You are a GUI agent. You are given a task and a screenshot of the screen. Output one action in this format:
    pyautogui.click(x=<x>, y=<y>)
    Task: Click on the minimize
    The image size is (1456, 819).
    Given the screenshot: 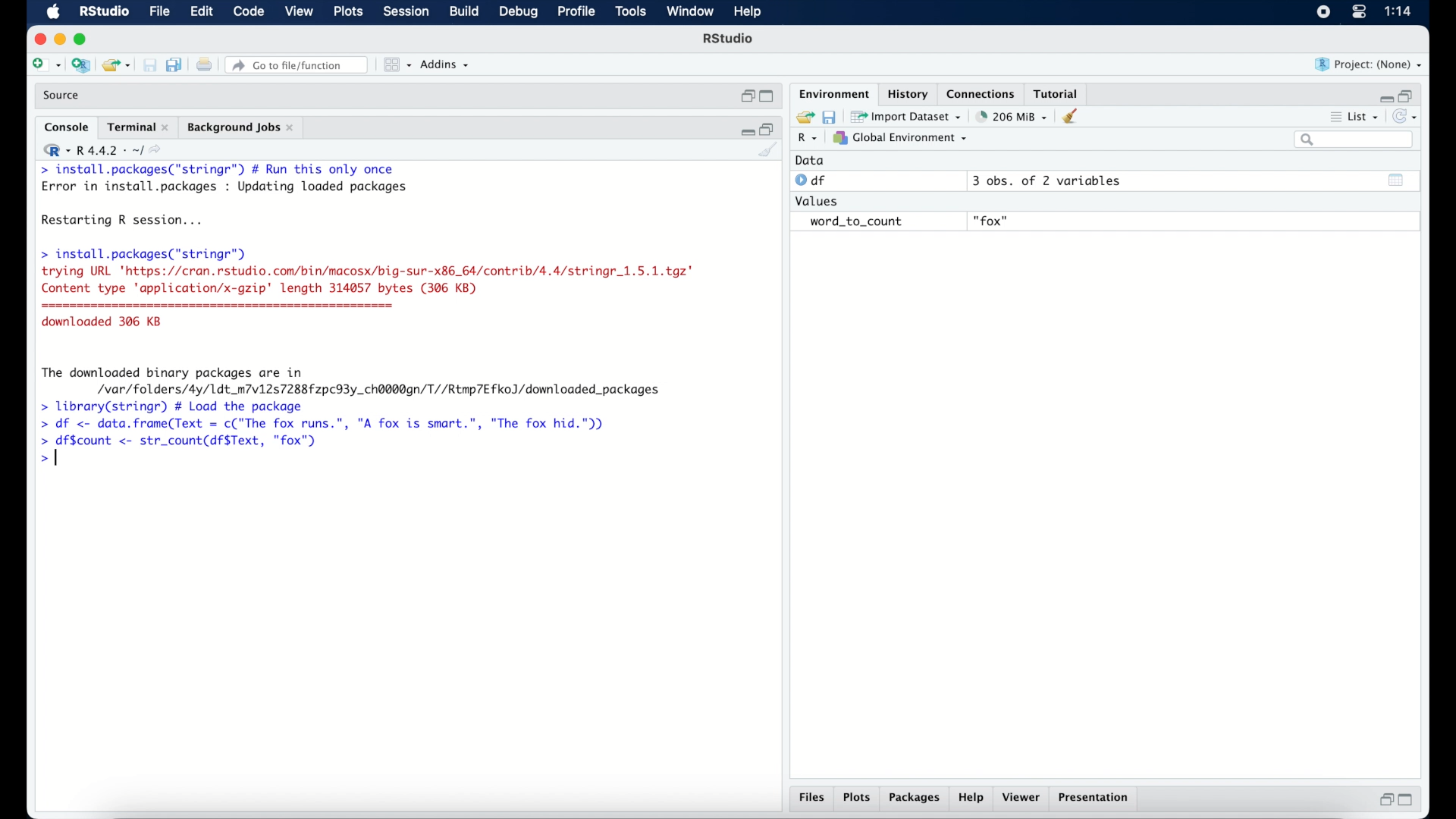 What is the action you would take?
    pyautogui.click(x=59, y=39)
    